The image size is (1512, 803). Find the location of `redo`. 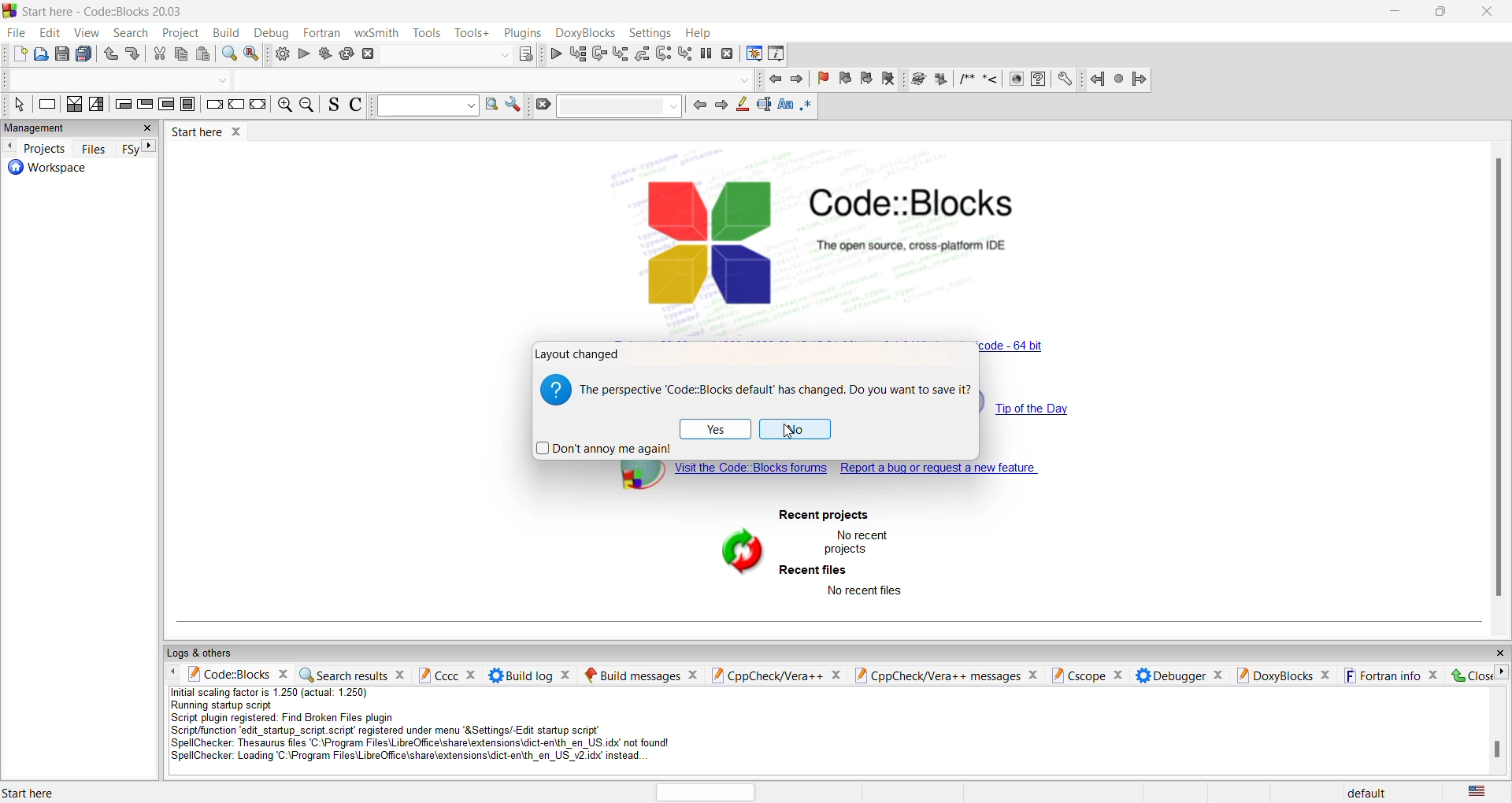

redo is located at coordinates (135, 54).